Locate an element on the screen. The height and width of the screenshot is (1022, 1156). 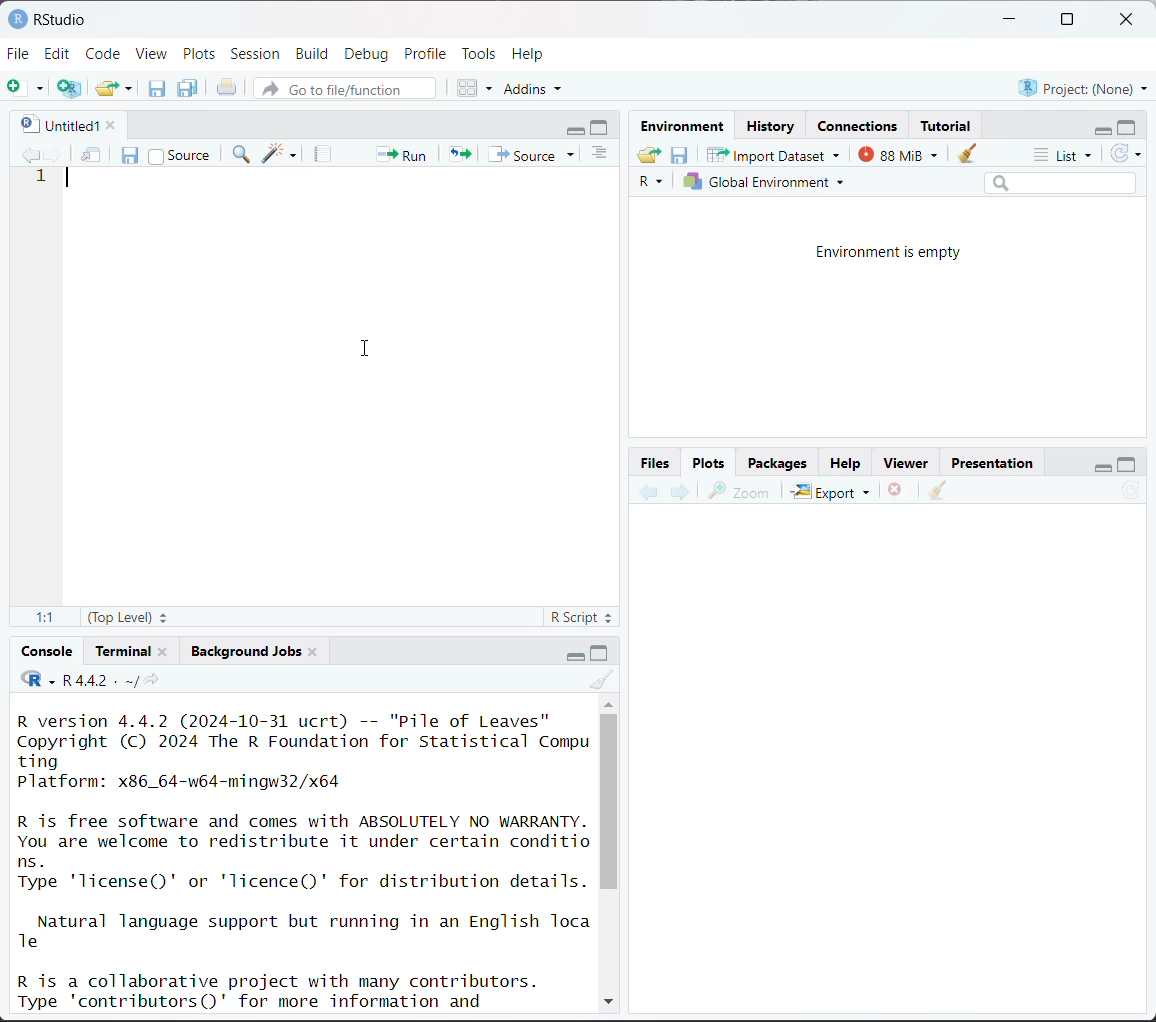
view the current working directory is located at coordinates (151, 680).